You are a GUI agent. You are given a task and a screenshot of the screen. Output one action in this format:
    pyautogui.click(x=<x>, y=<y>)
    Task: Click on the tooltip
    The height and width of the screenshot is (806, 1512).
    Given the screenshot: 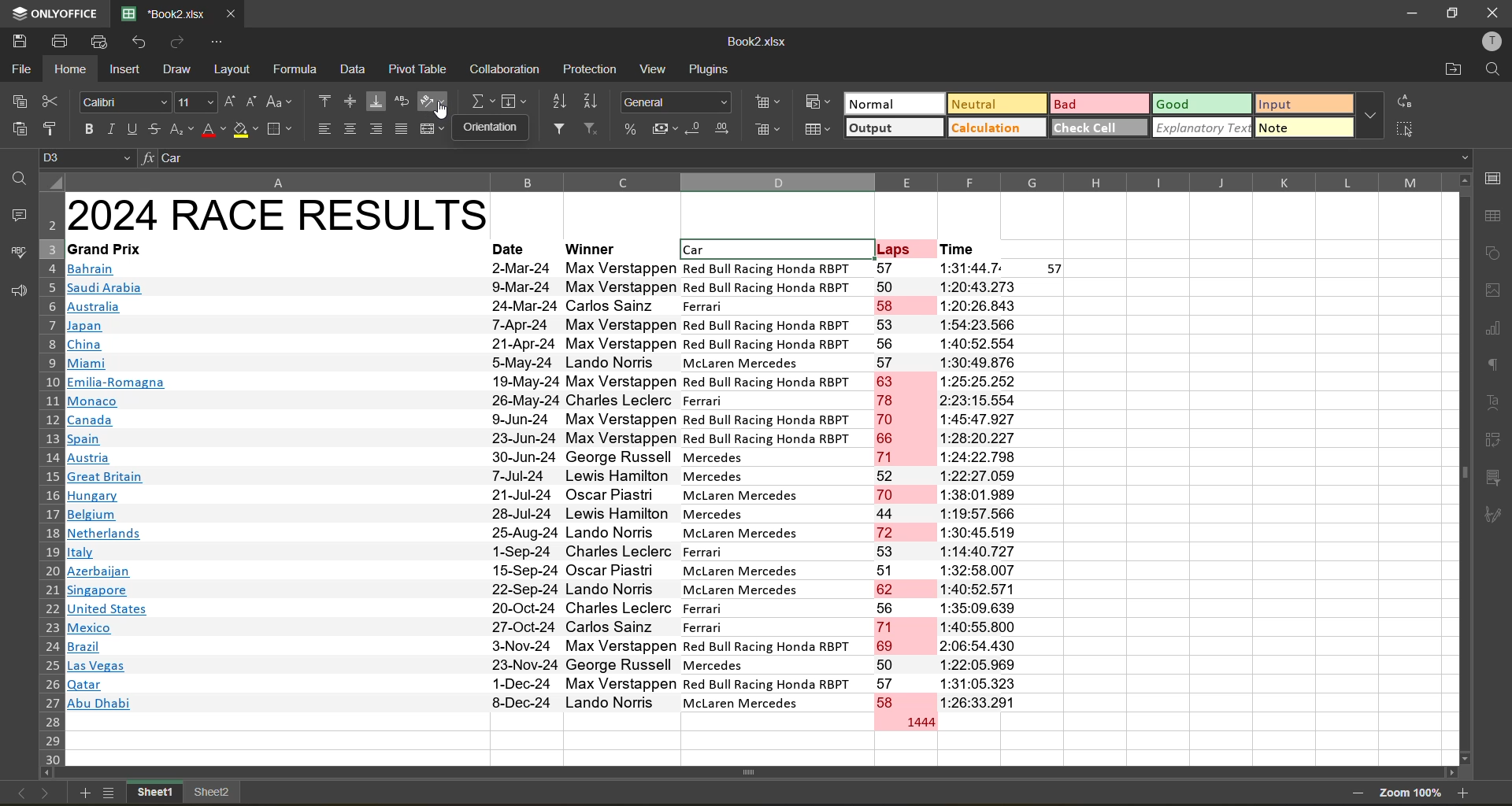 What is the action you would take?
    pyautogui.click(x=491, y=127)
    